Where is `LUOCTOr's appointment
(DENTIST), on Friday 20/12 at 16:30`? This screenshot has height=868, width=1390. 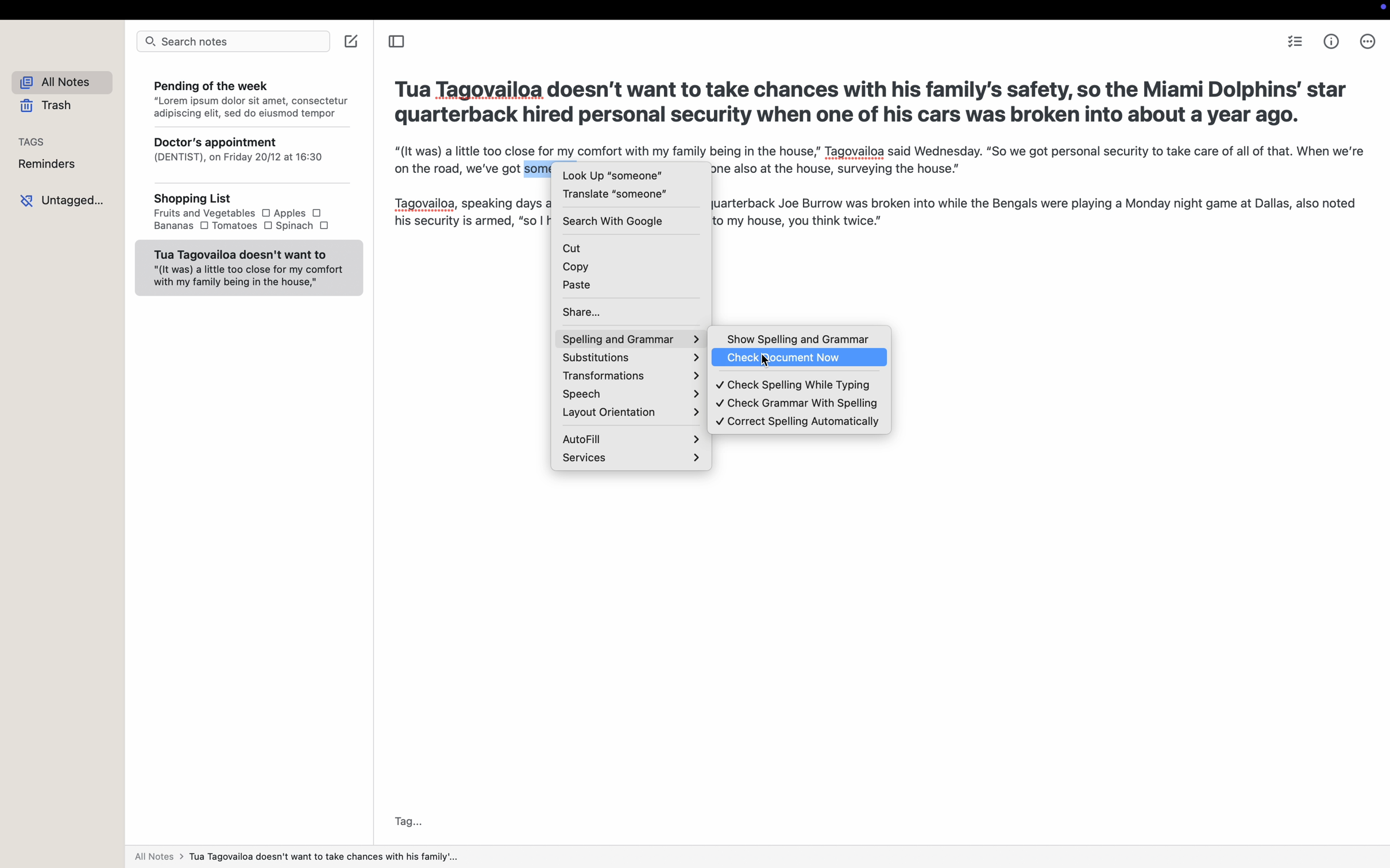 LUOCTOr's appointment
(DENTIST), on Friday 20/12 at 16:30 is located at coordinates (248, 157).